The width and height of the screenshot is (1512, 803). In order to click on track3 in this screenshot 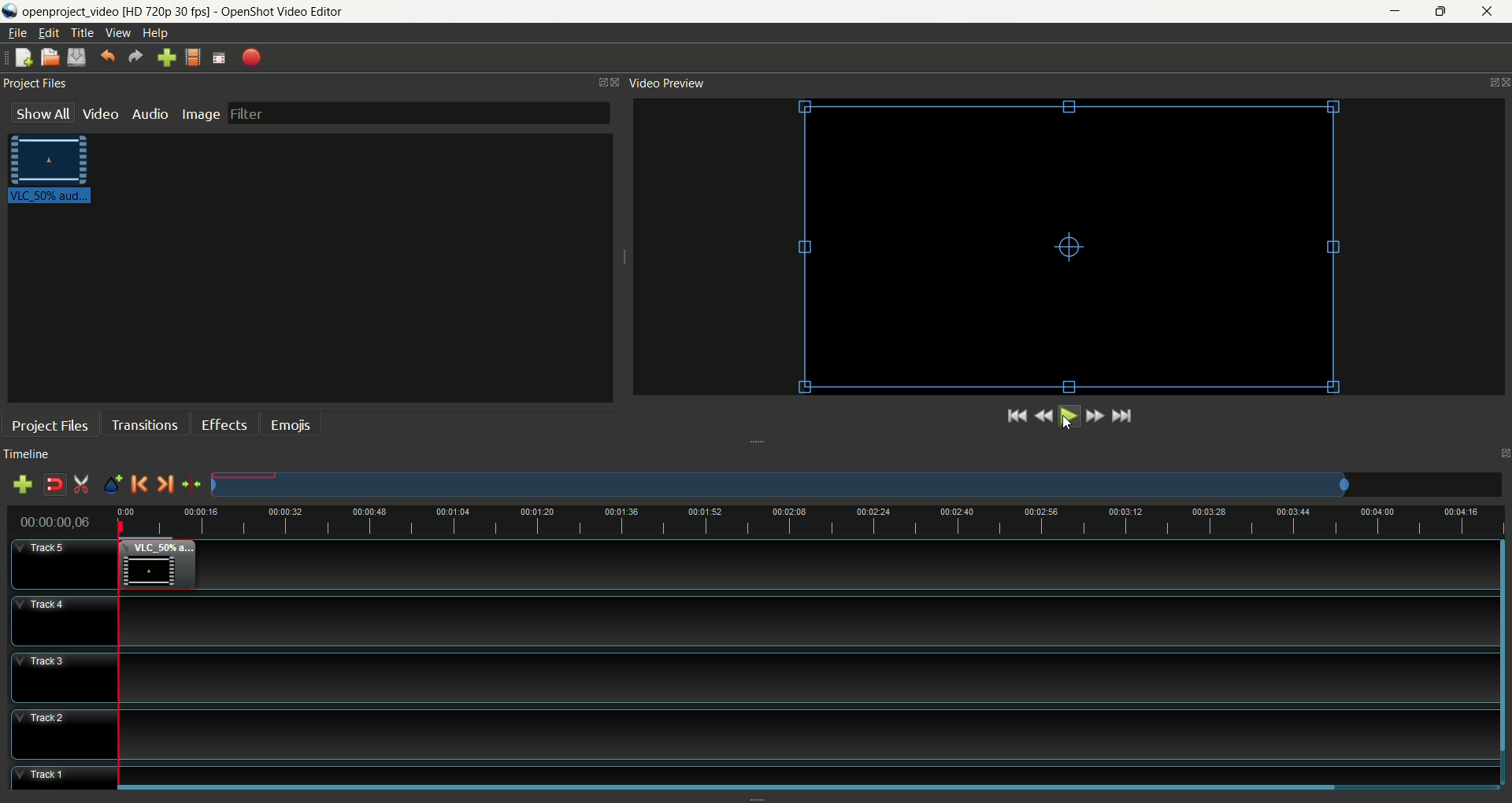, I will do `click(67, 678)`.